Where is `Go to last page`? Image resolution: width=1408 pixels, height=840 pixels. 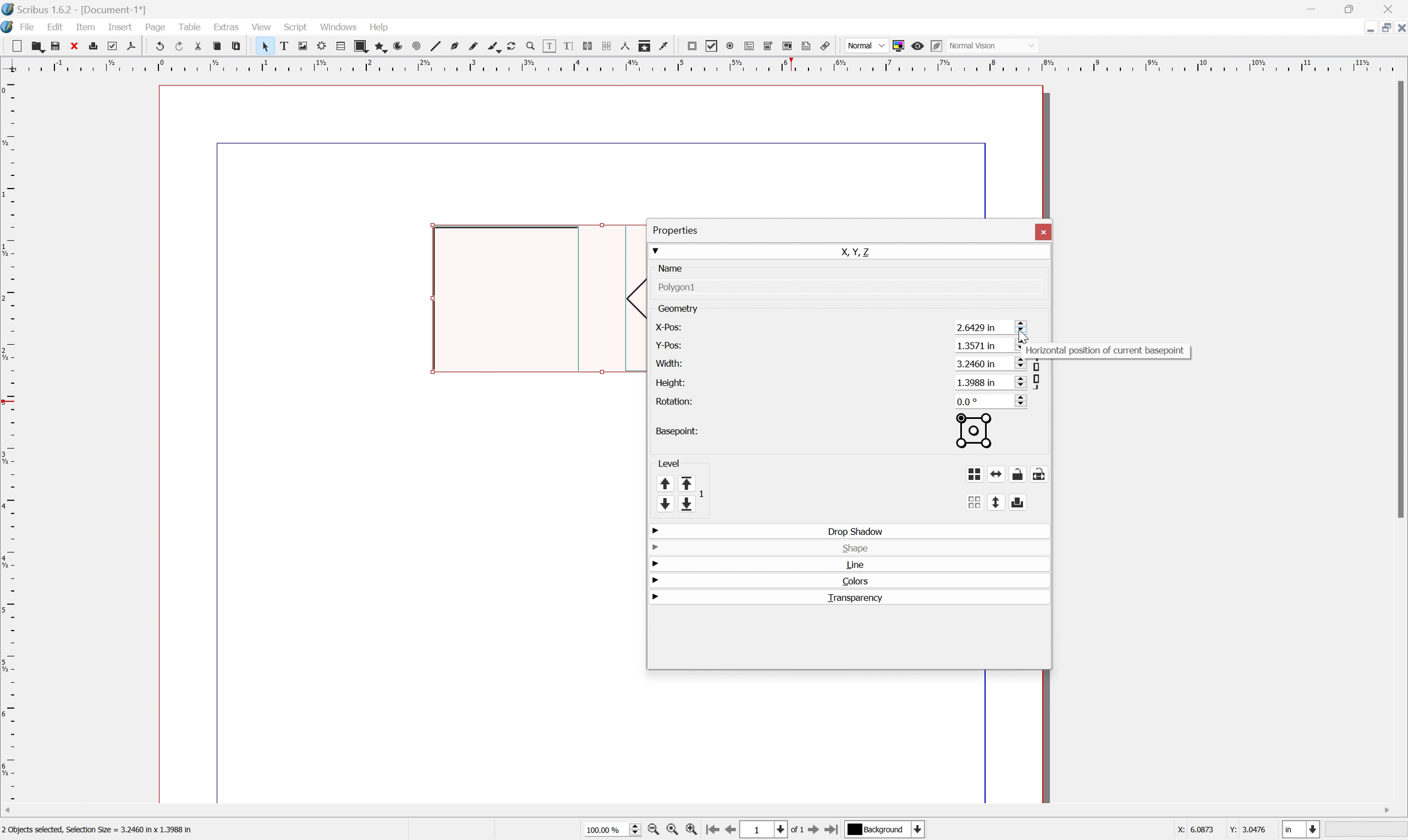 Go to last page is located at coordinates (833, 828).